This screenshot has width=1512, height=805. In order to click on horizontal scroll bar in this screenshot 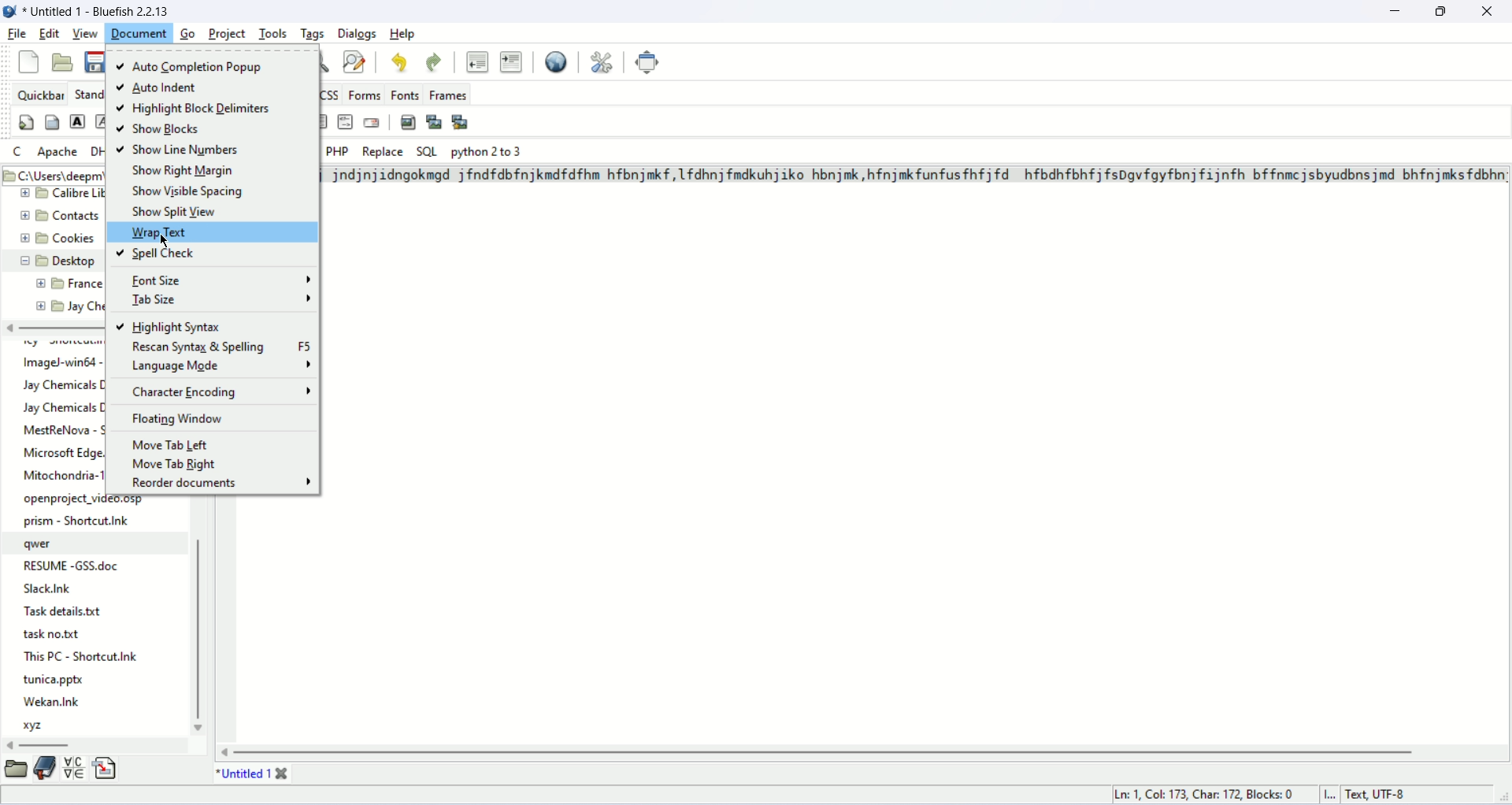, I will do `click(48, 744)`.